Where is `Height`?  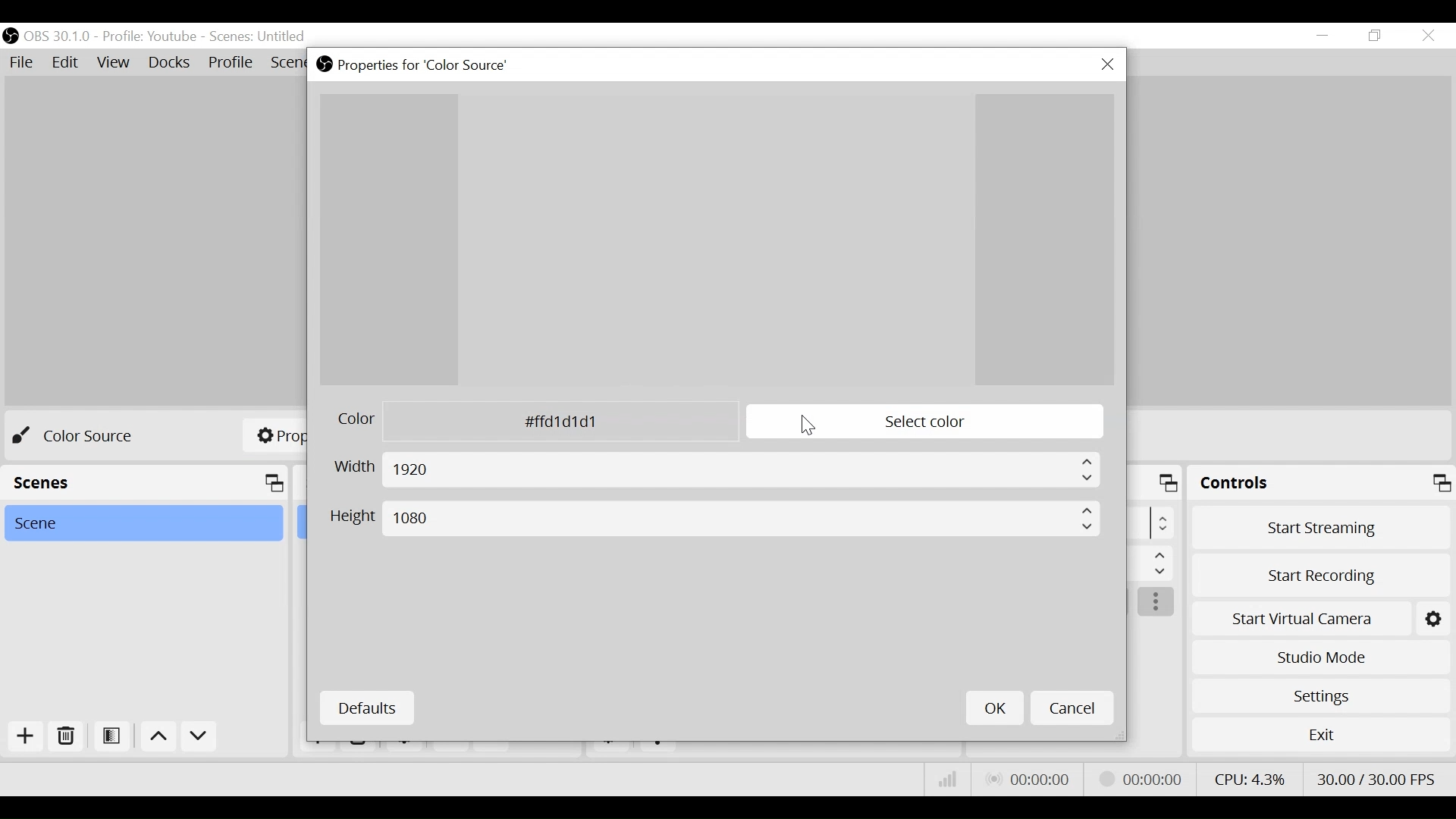
Height is located at coordinates (716, 519).